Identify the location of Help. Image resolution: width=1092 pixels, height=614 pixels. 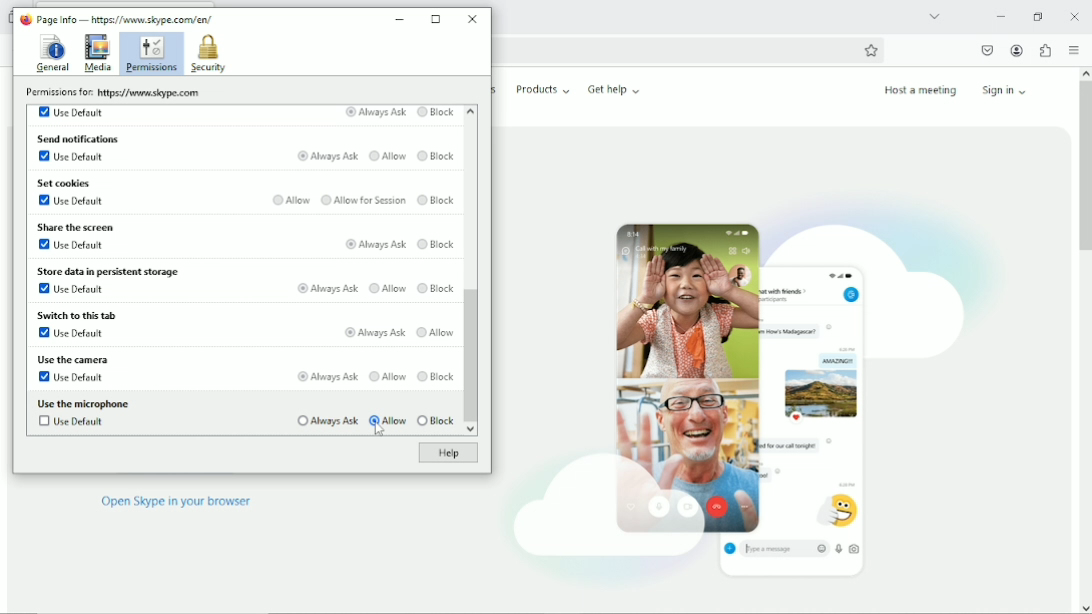
(445, 454).